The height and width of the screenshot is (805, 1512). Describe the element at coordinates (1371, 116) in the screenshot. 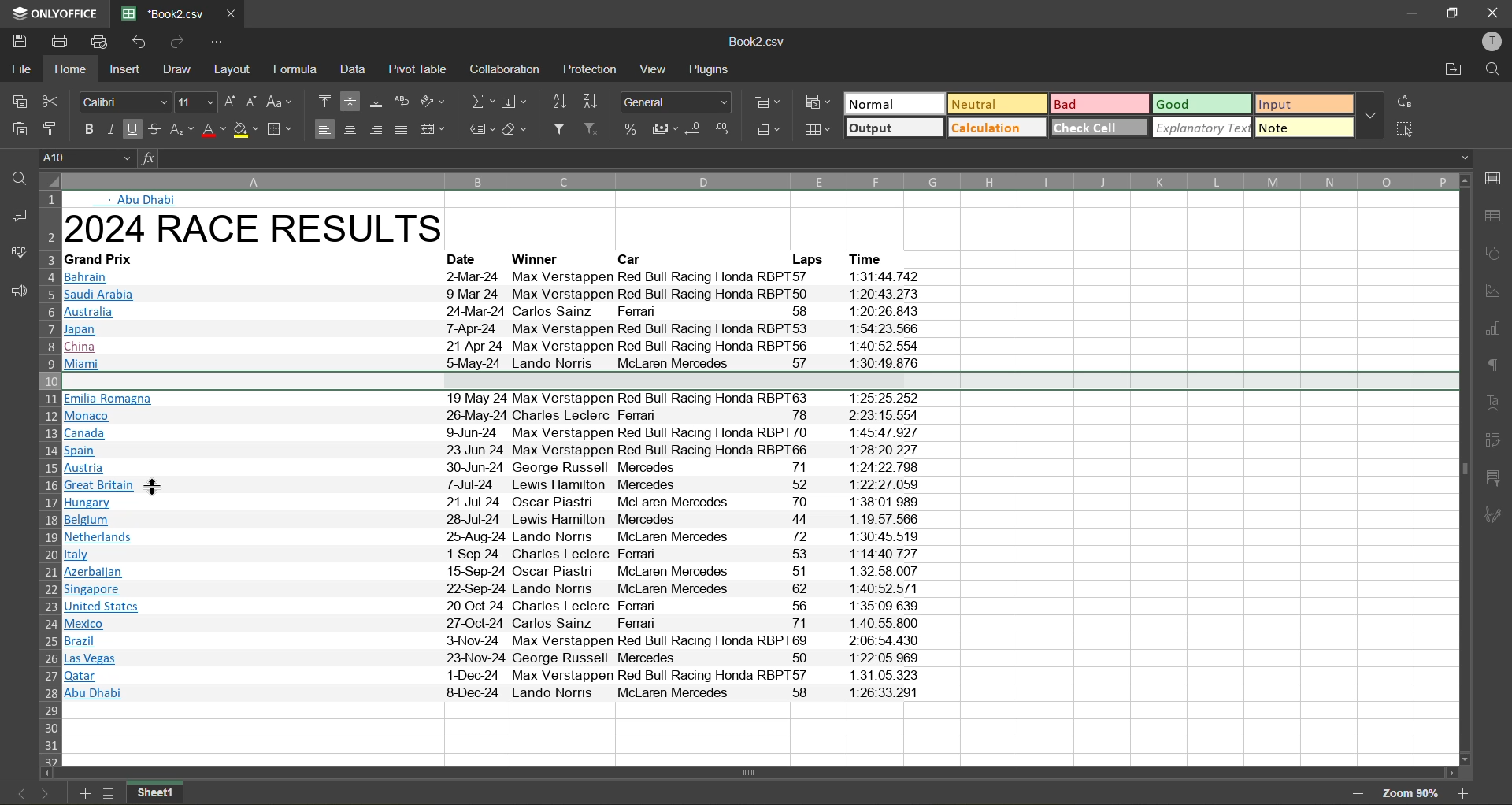

I see `more options` at that location.